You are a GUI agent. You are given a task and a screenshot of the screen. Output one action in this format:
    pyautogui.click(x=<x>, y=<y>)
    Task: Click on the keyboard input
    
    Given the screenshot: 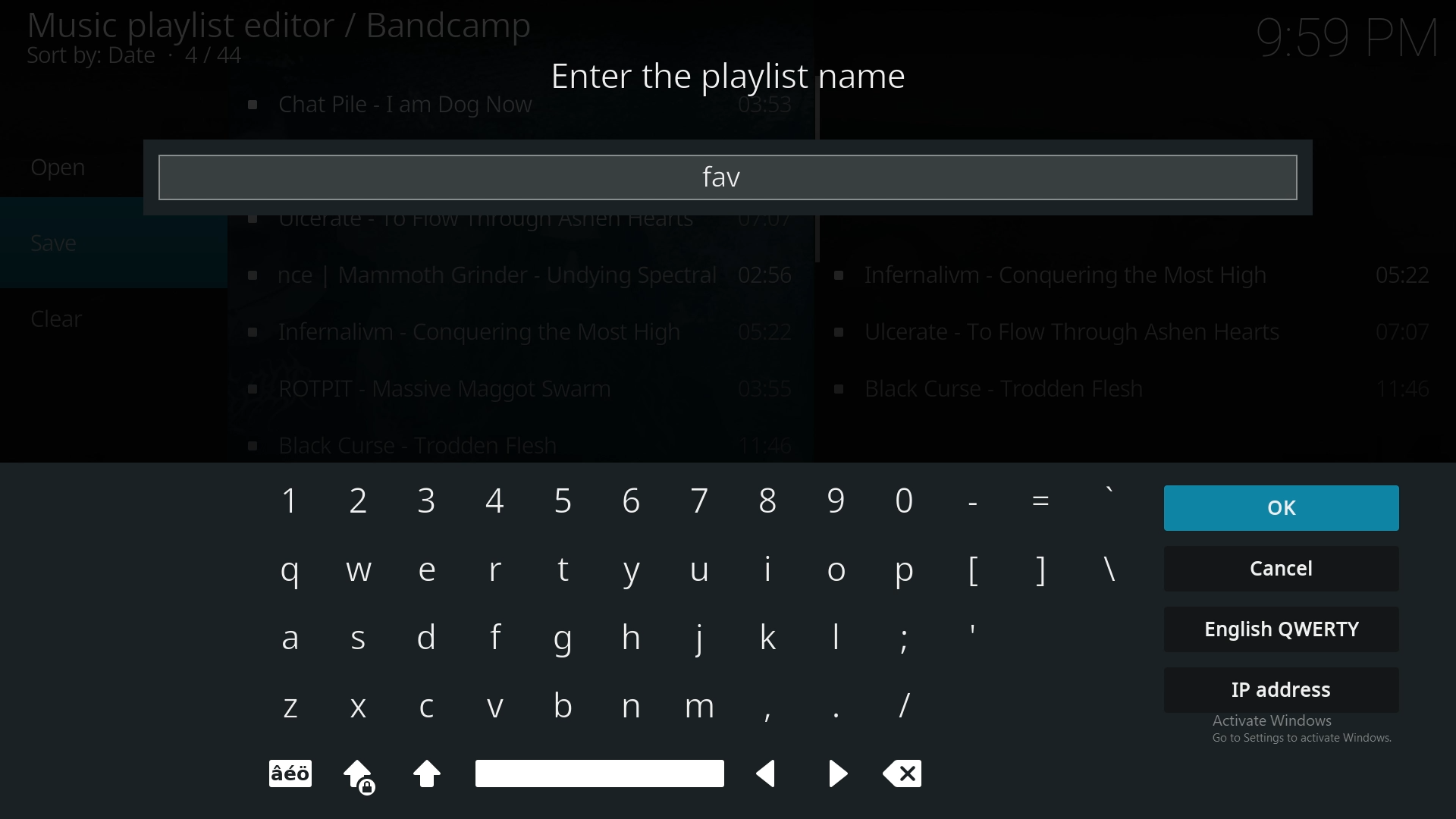 What is the action you would take?
    pyautogui.click(x=1119, y=577)
    